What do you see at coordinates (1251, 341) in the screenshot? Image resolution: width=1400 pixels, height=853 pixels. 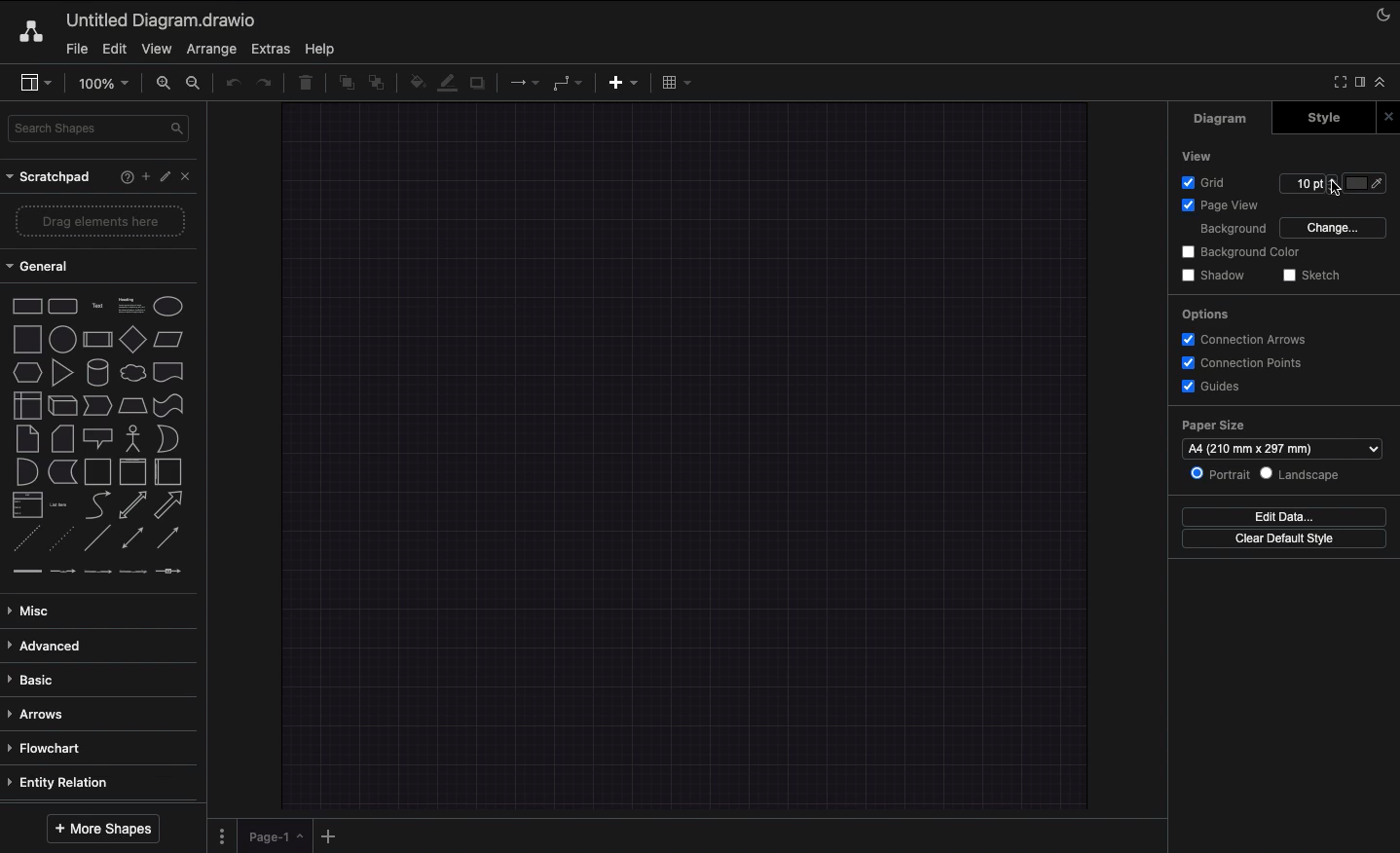 I see `Connection arrows` at bounding box center [1251, 341].